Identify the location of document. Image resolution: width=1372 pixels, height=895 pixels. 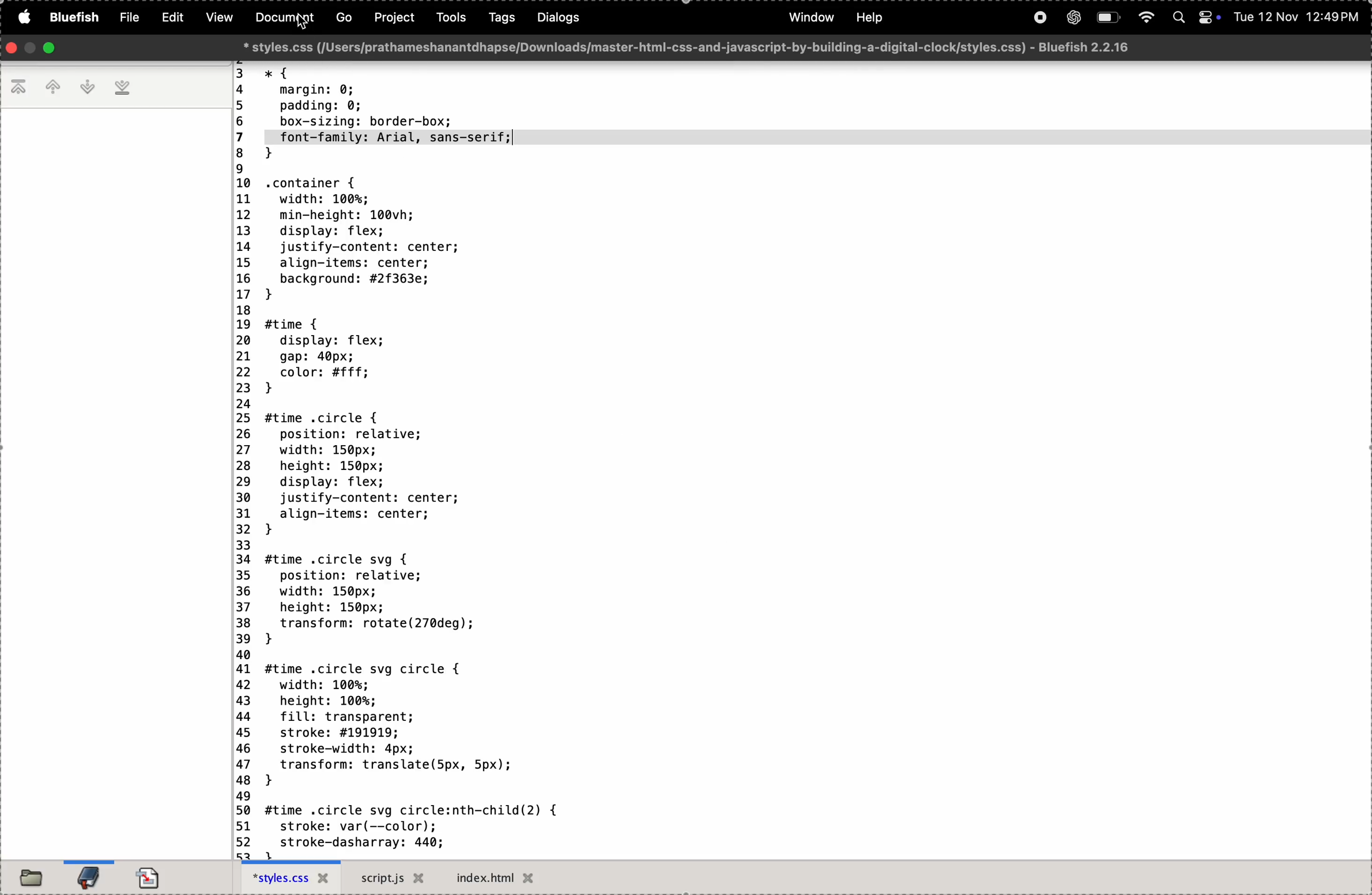
(283, 18).